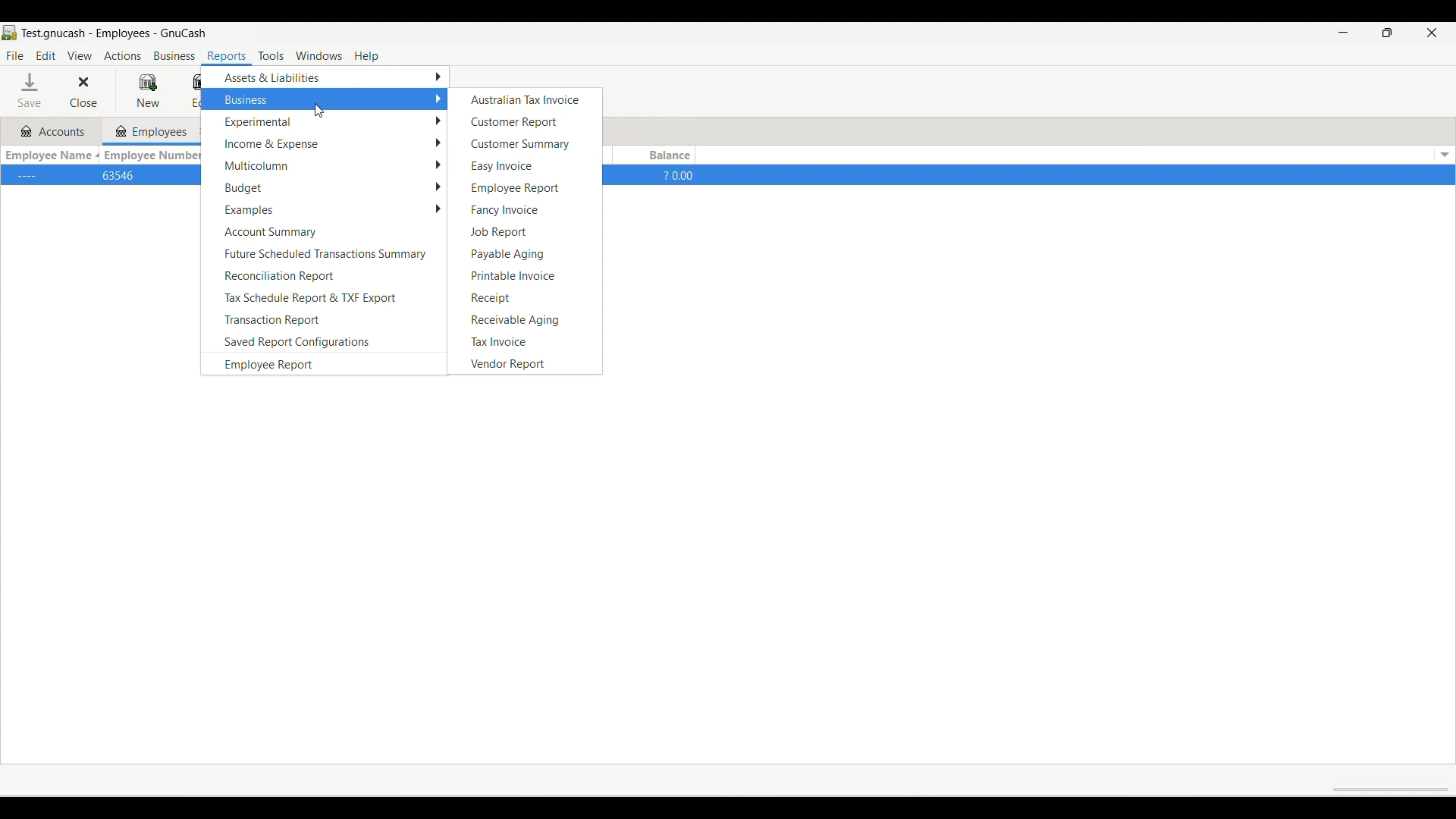 Image resolution: width=1456 pixels, height=819 pixels. What do you see at coordinates (318, 111) in the screenshot?
I see `Cursor moving to Business options` at bounding box center [318, 111].